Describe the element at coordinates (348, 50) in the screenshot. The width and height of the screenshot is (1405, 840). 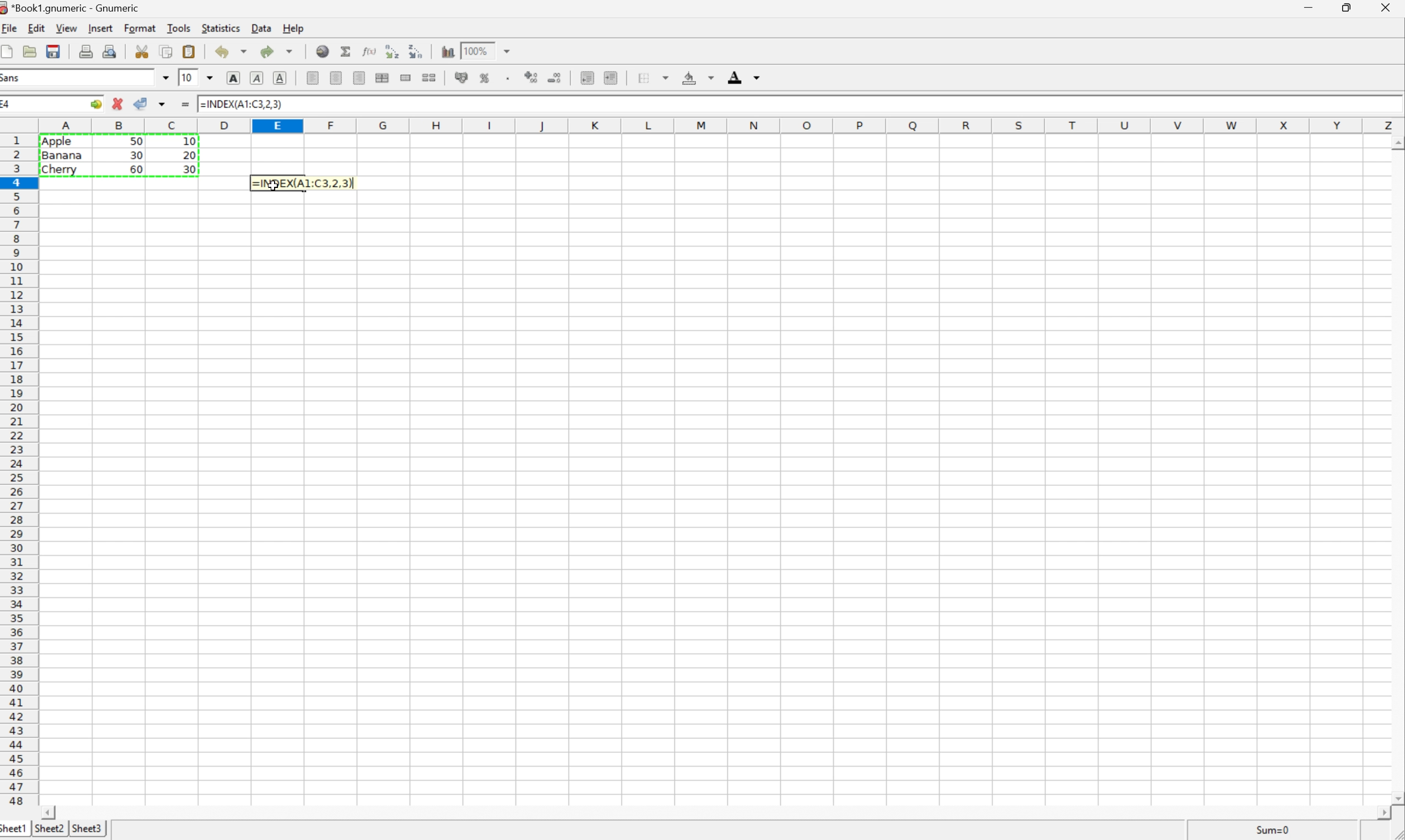
I see `sum in current cell` at that location.